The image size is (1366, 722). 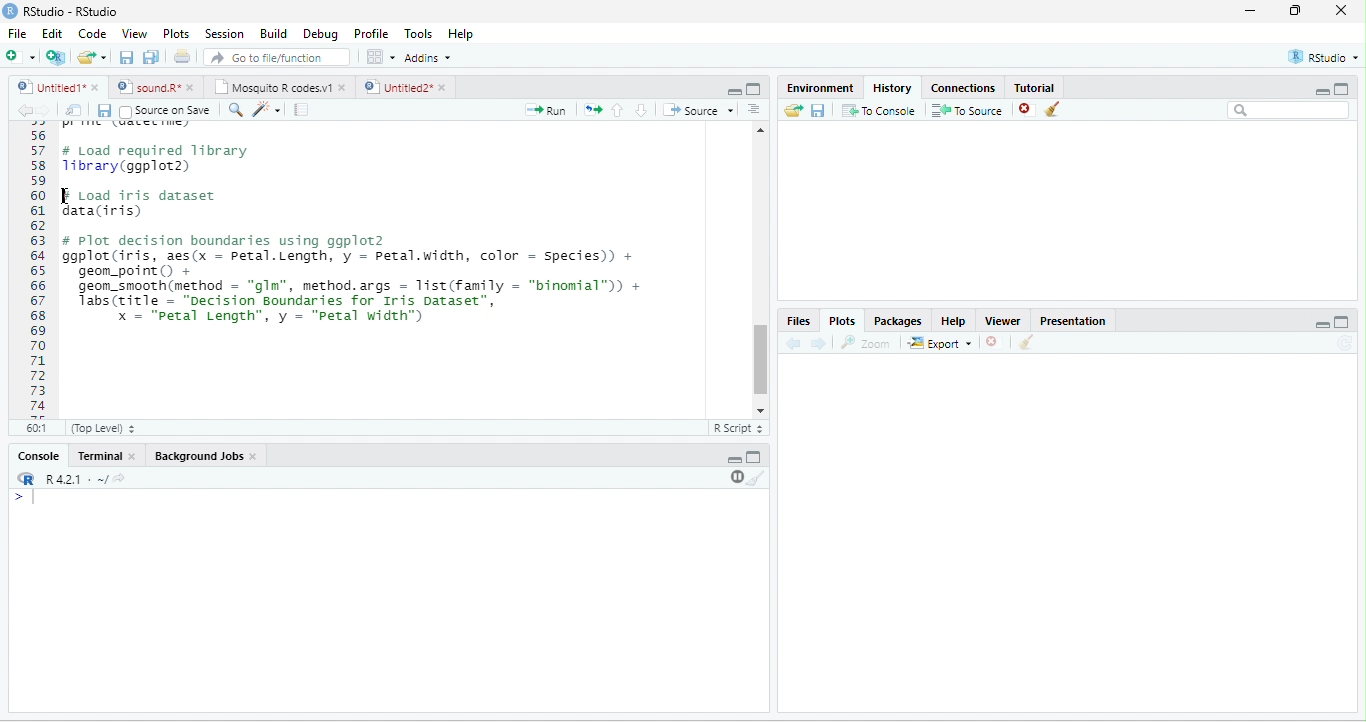 What do you see at coordinates (792, 344) in the screenshot?
I see `back` at bounding box center [792, 344].